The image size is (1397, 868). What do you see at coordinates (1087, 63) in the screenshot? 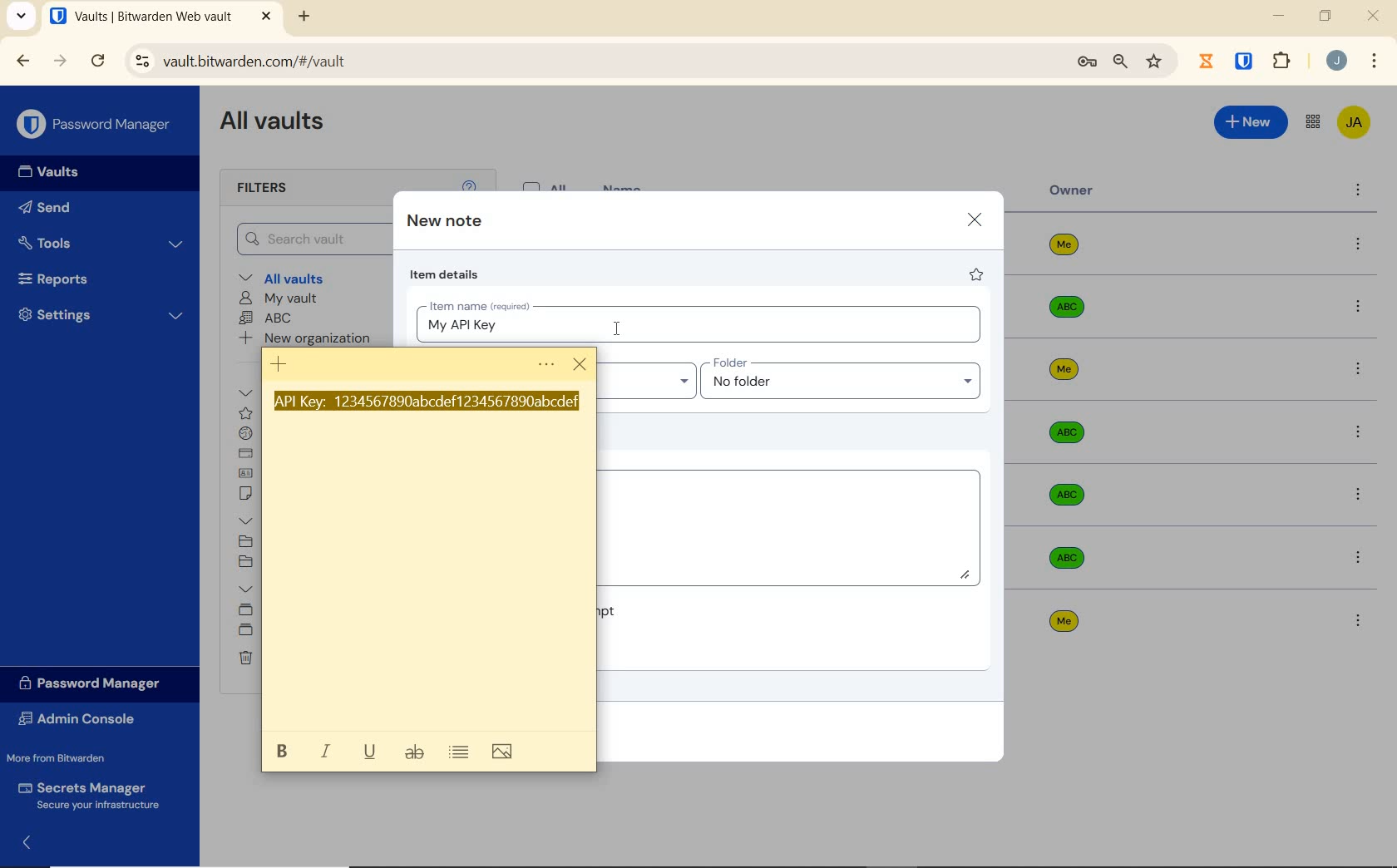
I see `manage passwords` at bounding box center [1087, 63].